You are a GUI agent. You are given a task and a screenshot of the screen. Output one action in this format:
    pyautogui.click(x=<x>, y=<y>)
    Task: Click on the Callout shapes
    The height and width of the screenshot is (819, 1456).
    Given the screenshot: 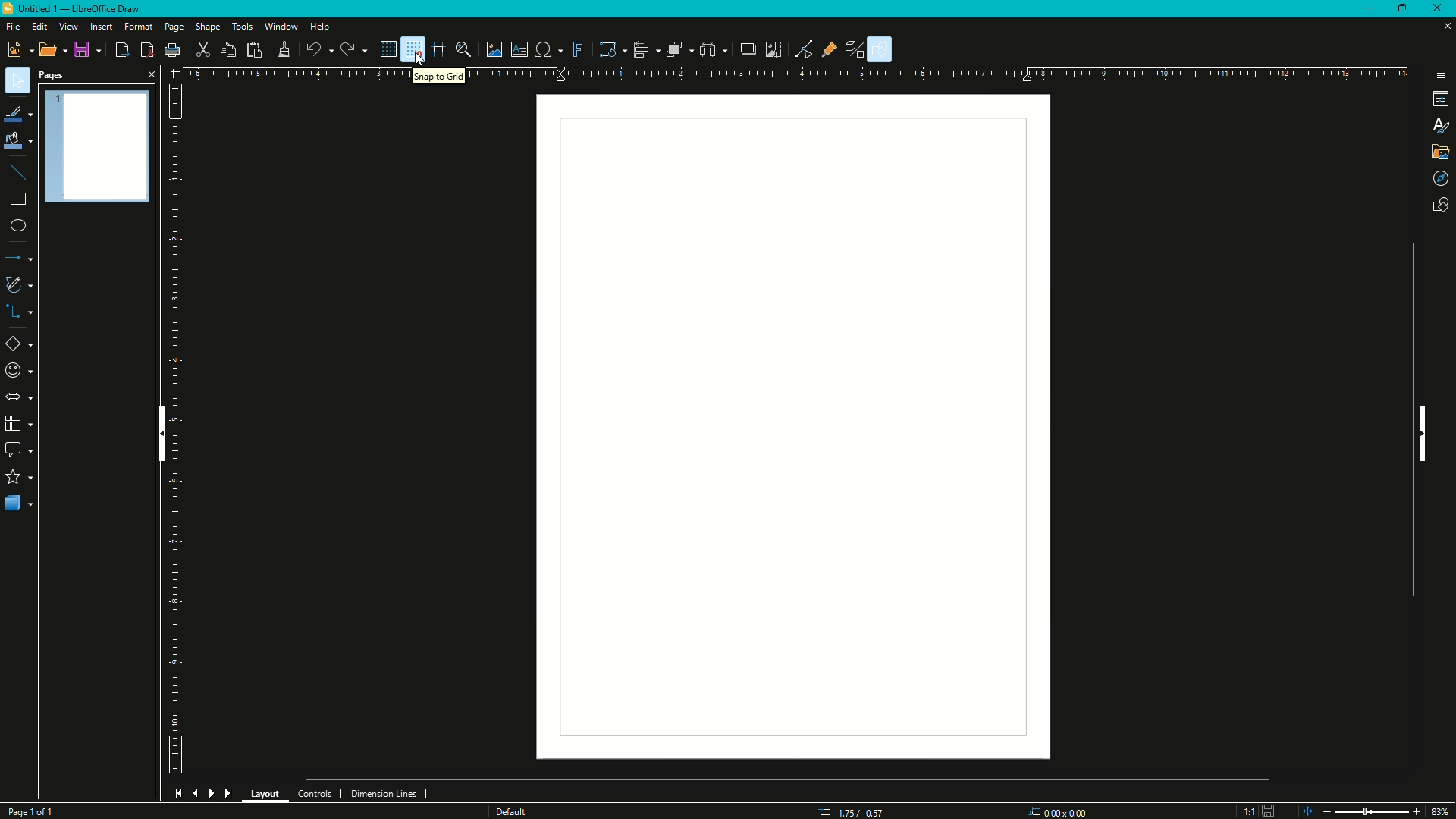 What is the action you would take?
    pyautogui.click(x=28, y=450)
    